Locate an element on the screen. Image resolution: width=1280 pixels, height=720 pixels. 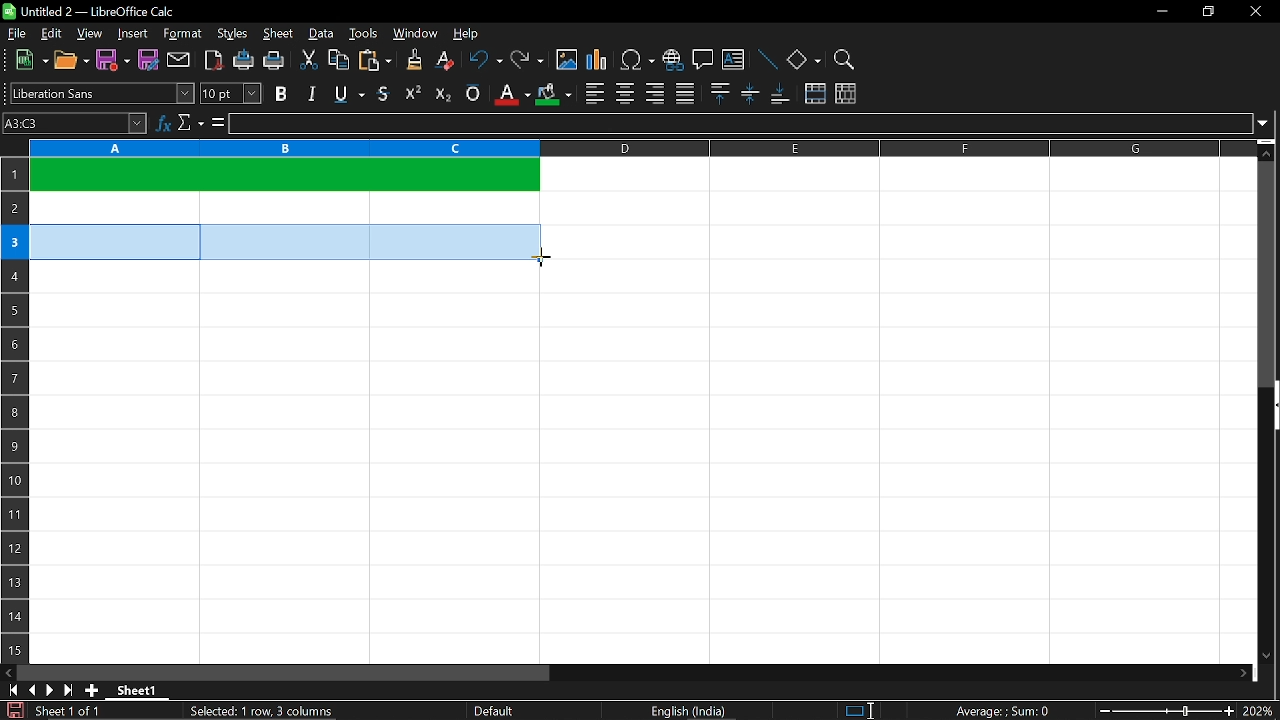
formula is located at coordinates (216, 123).